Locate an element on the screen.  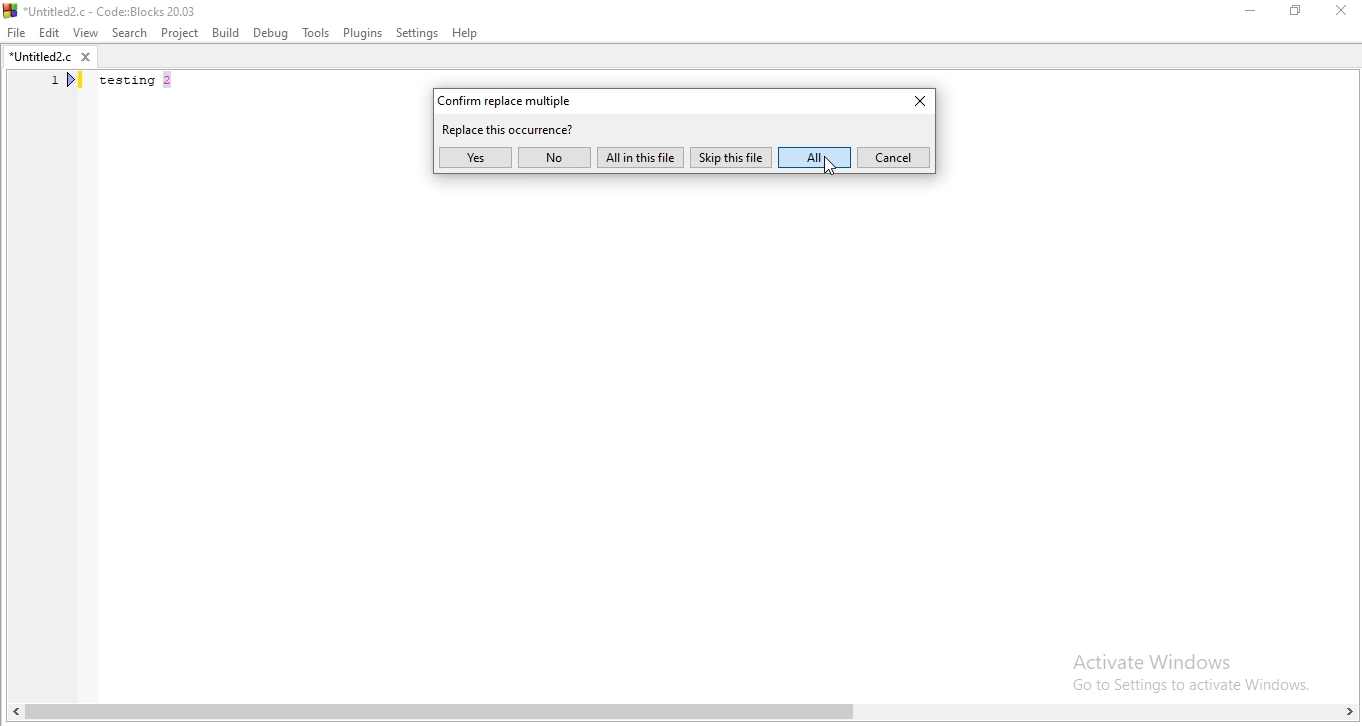
Debug  is located at coordinates (271, 31).